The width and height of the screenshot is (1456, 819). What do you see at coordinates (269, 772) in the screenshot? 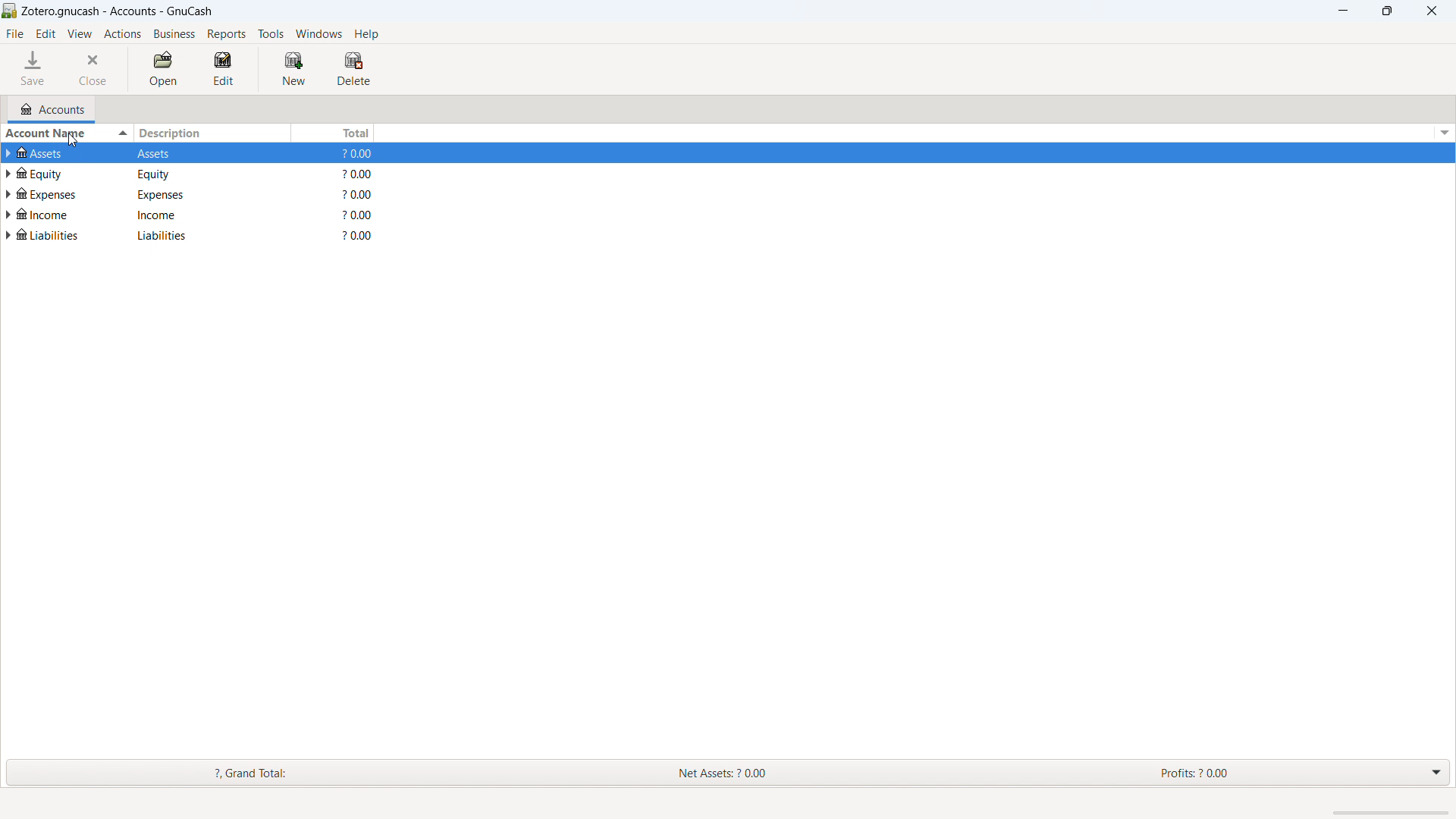
I see `2, Grand Total:` at bounding box center [269, 772].